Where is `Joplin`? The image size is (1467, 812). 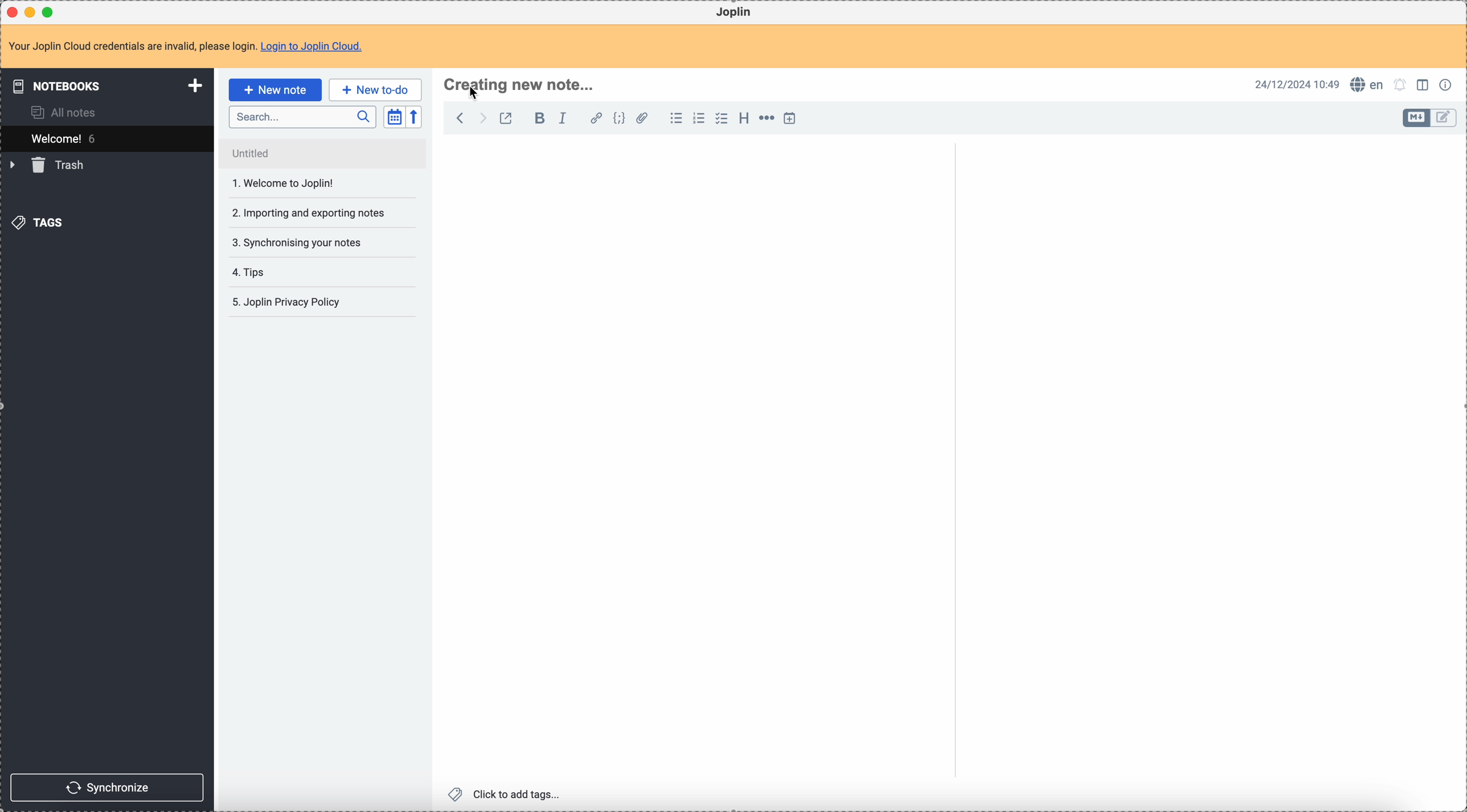 Joplin is located at coordinates (736, 13).